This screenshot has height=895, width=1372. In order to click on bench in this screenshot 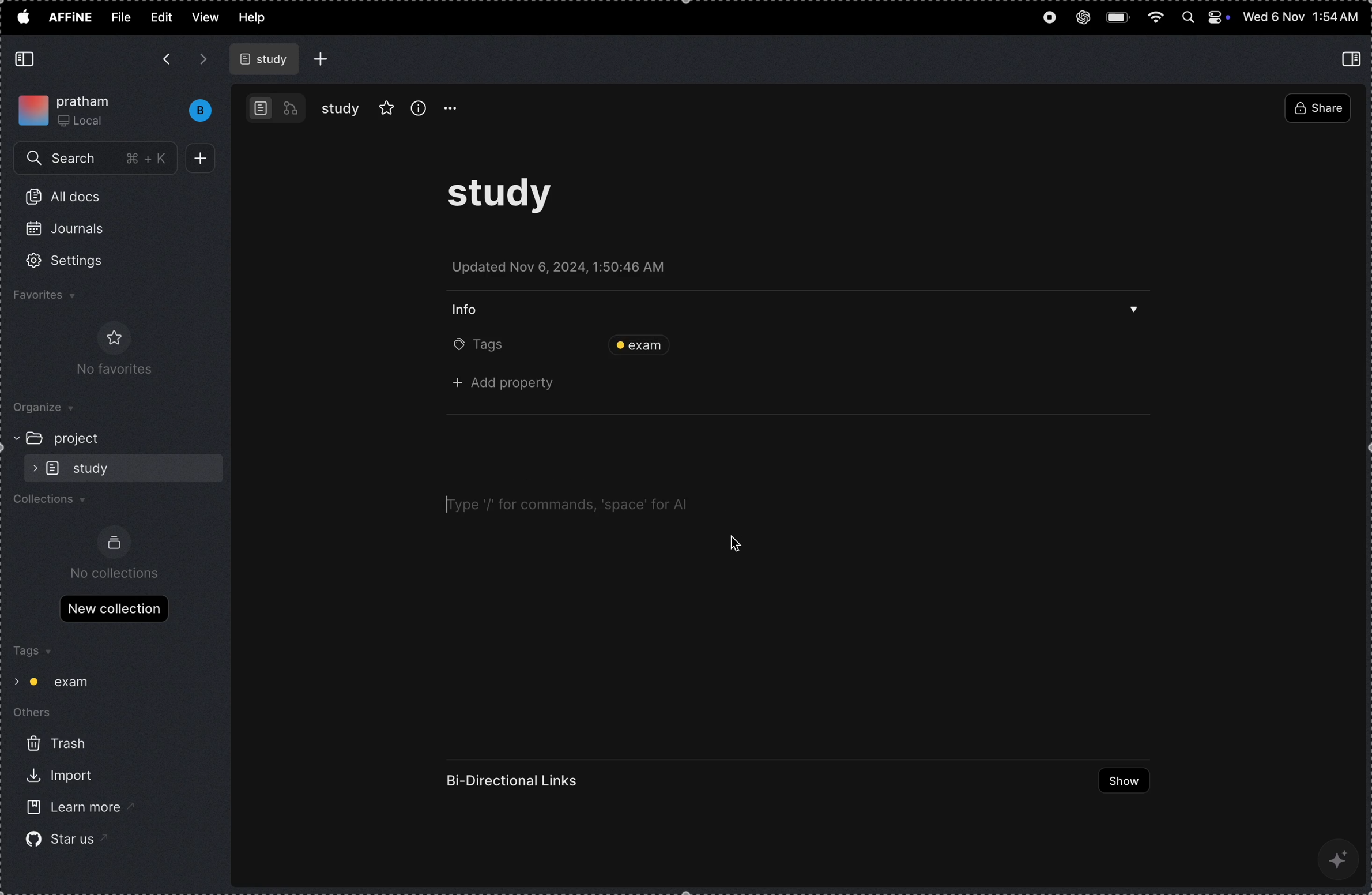, I will do `click(194, 111)`.